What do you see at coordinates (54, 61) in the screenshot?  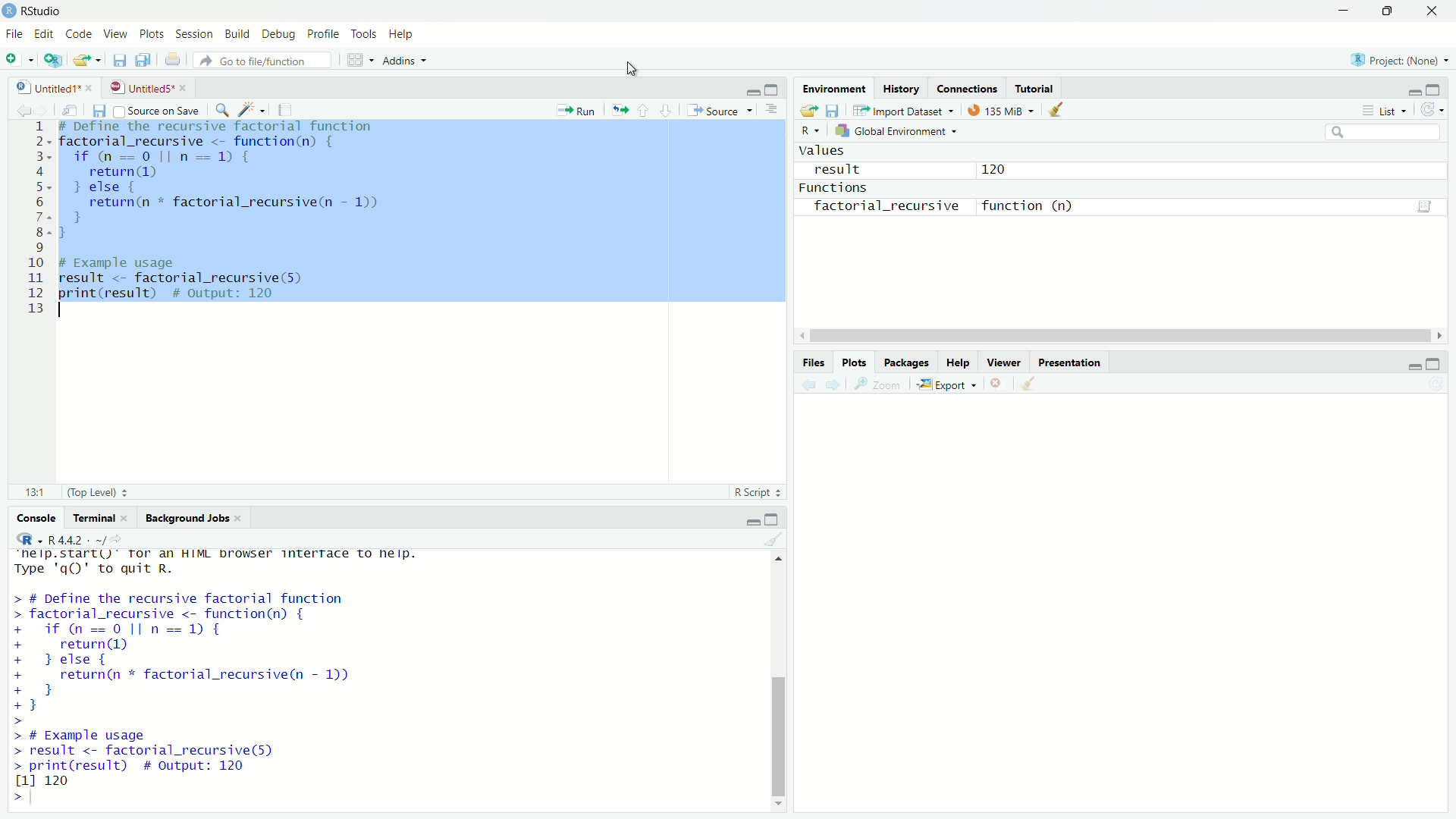 I see `Create a project` at bounding box center [54, 61].